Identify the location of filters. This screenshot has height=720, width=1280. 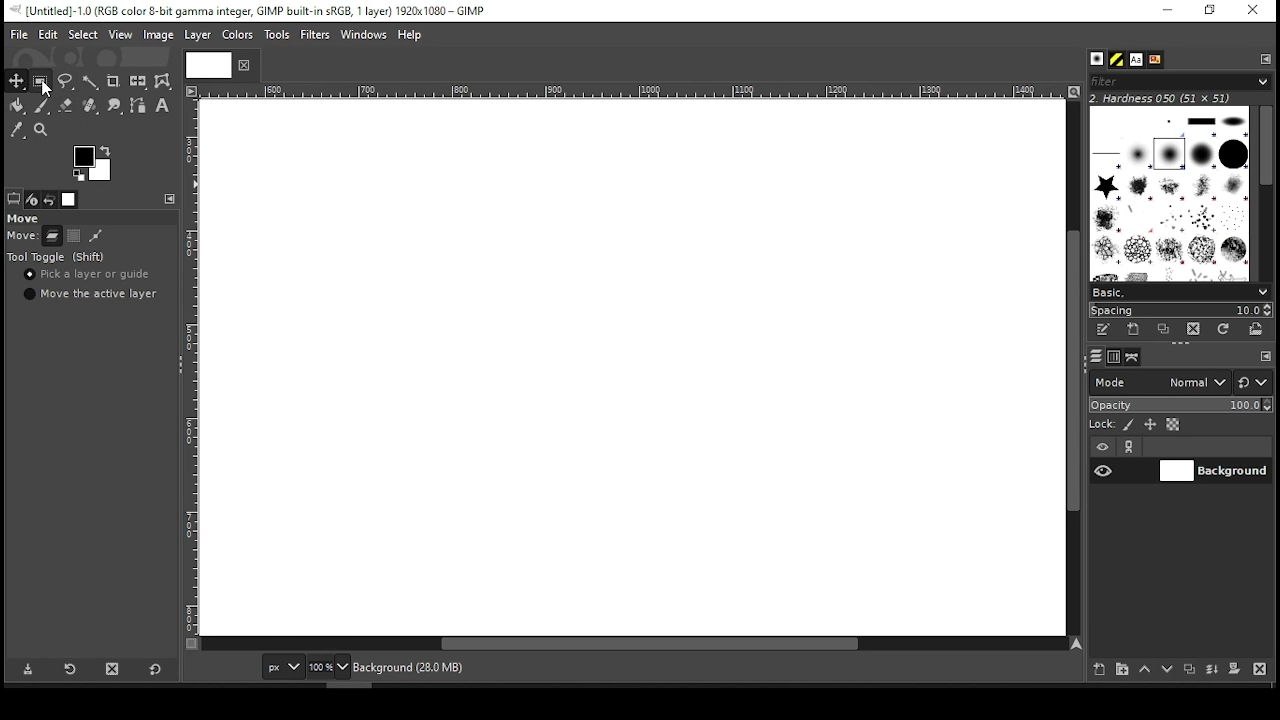
(318, 35).